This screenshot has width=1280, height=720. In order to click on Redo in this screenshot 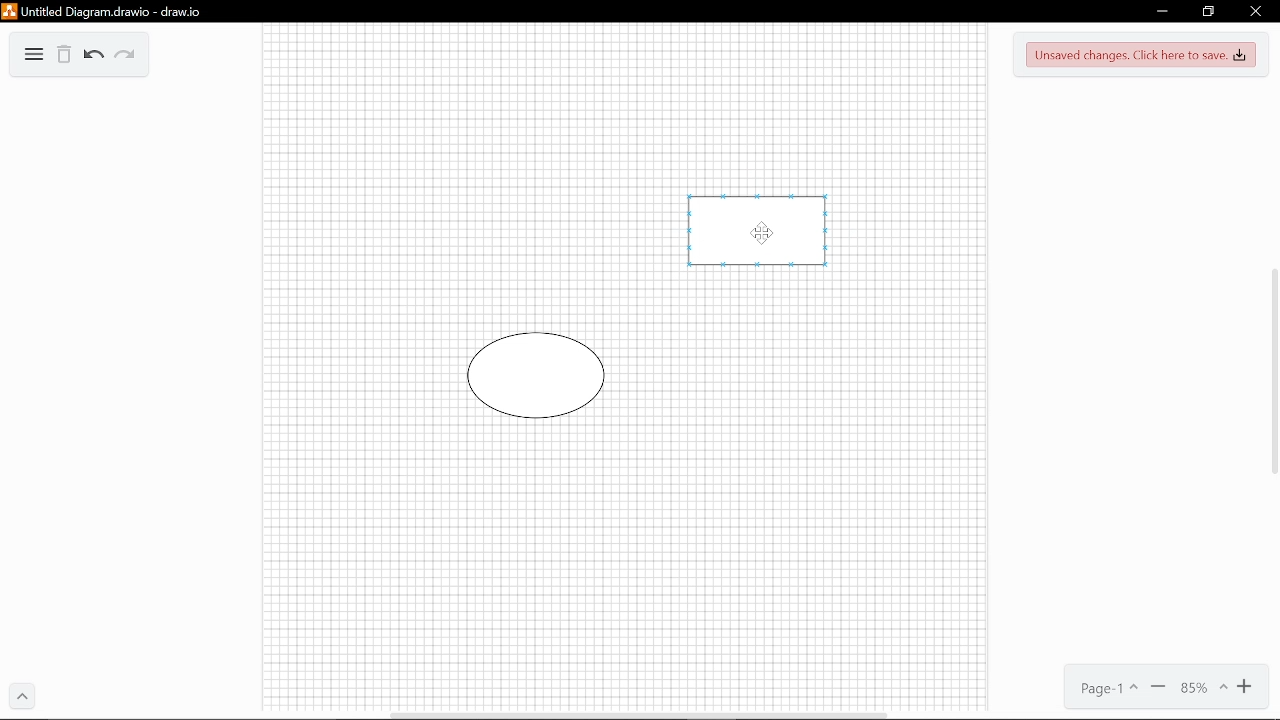, I will do `click(124, 57)`.